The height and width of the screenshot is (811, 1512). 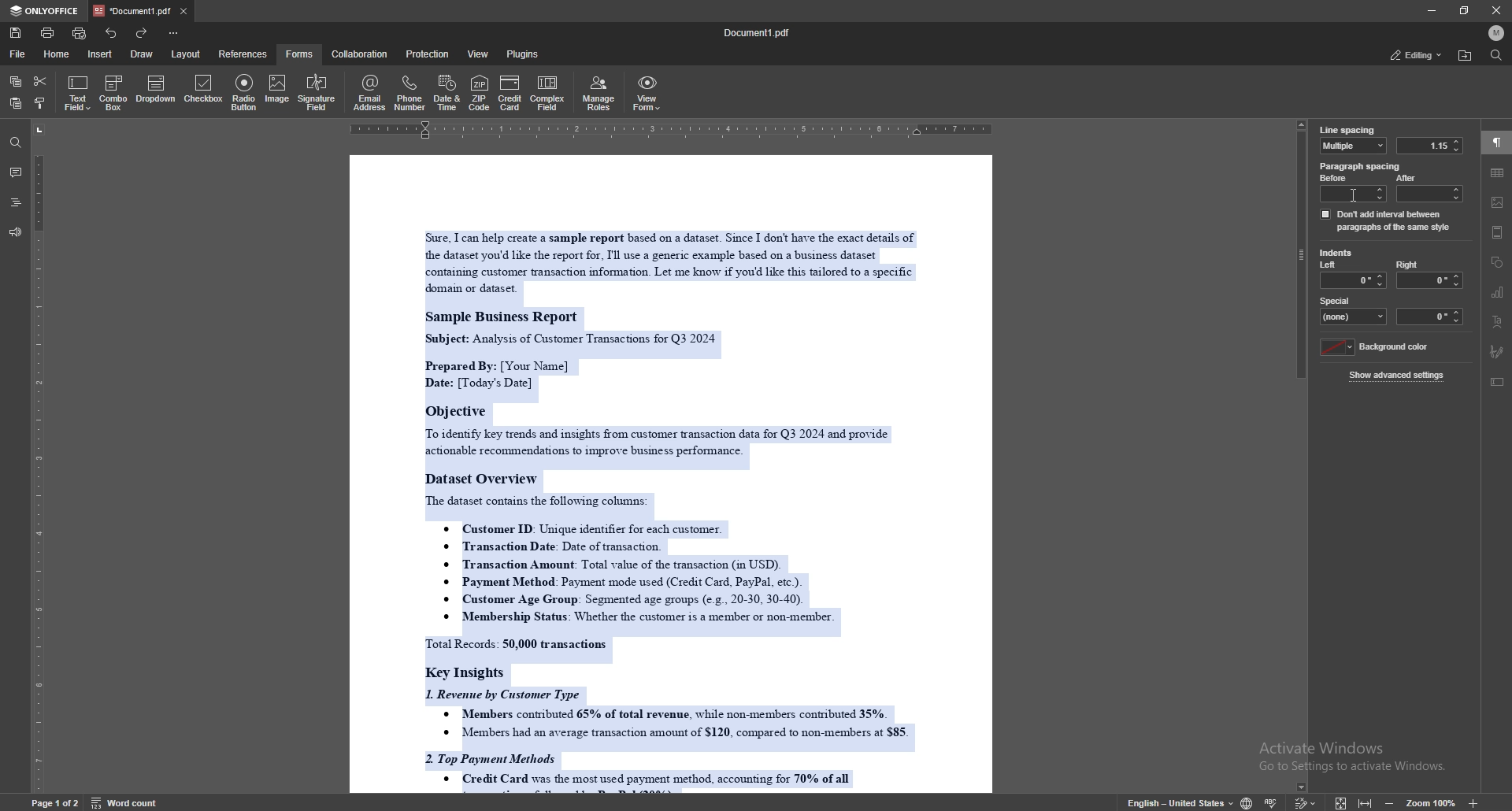 I want to click on close, so click(x=1496, y=10).